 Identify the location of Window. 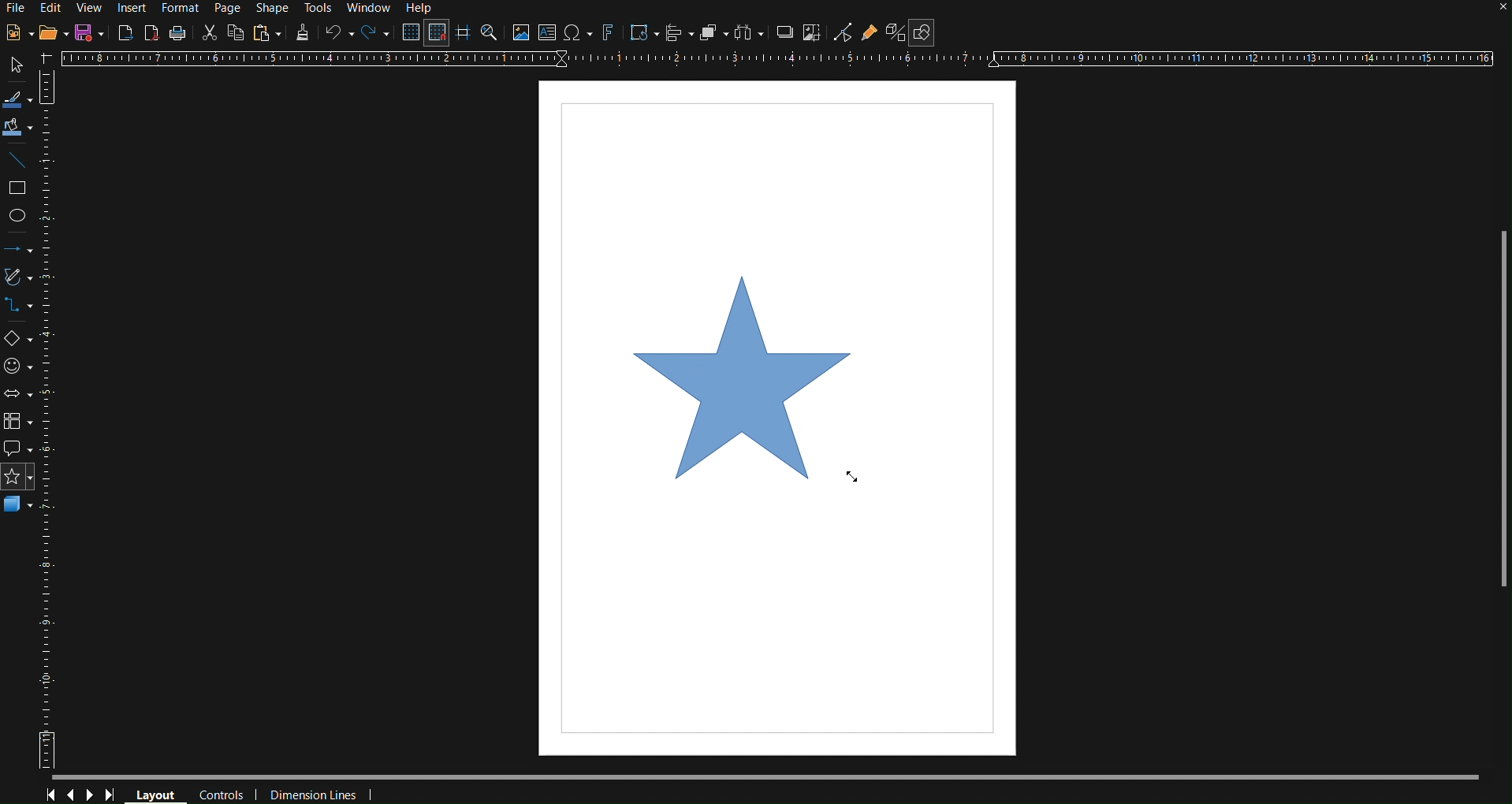
(370, 7).